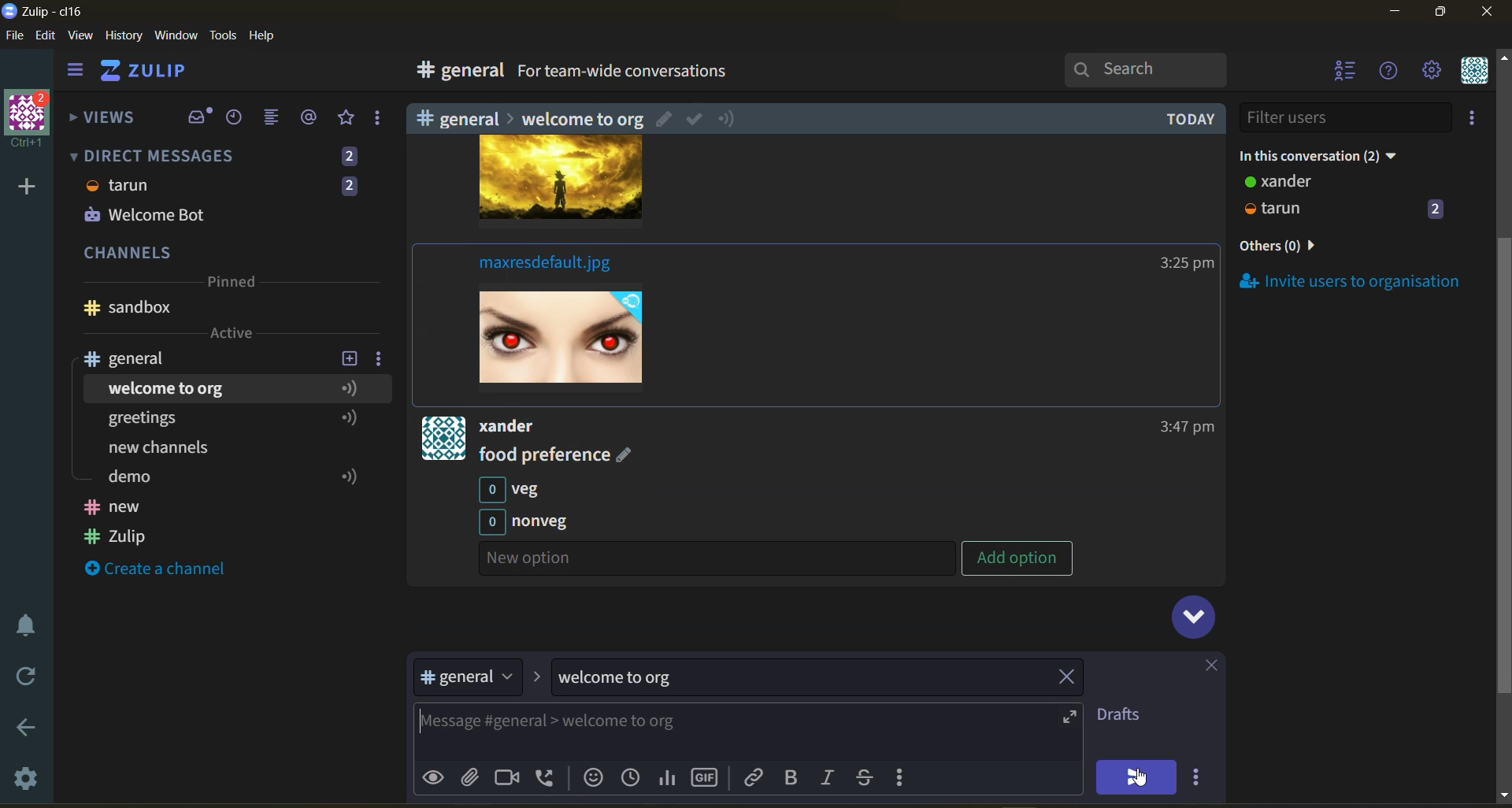  I want to click on add gif, so click(708, 776).